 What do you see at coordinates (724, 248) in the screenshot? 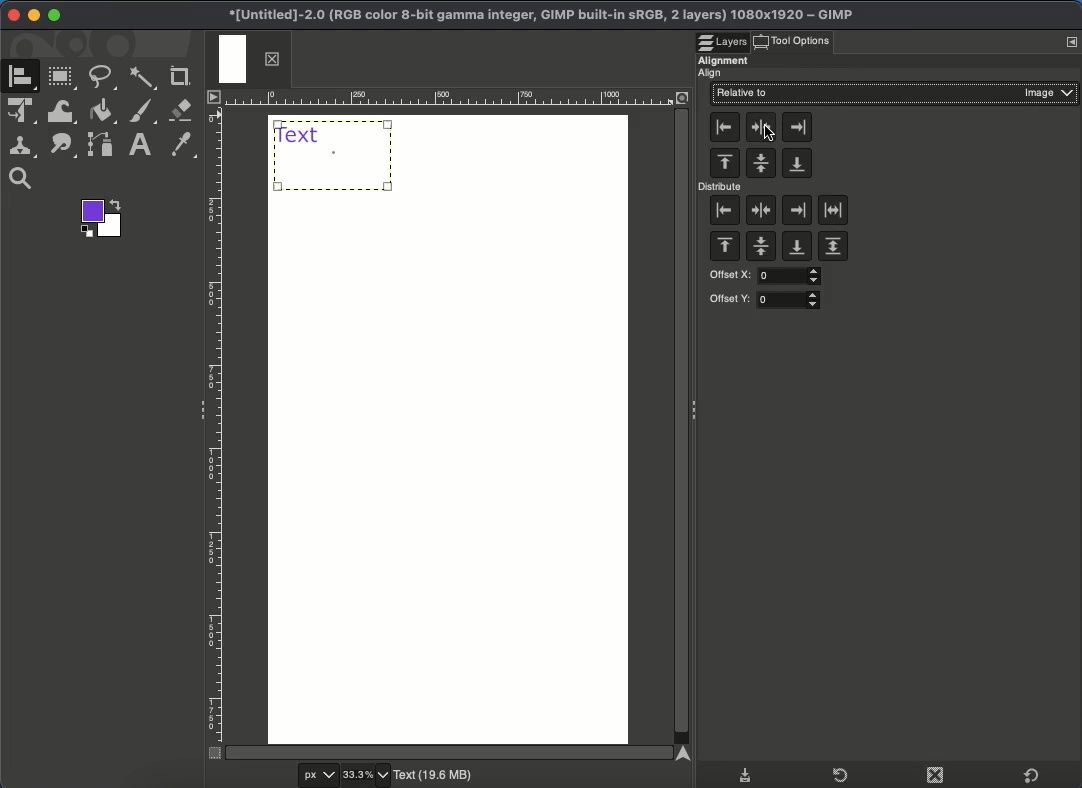
I see `Distribute top edges` at bounding box center [724, 248].